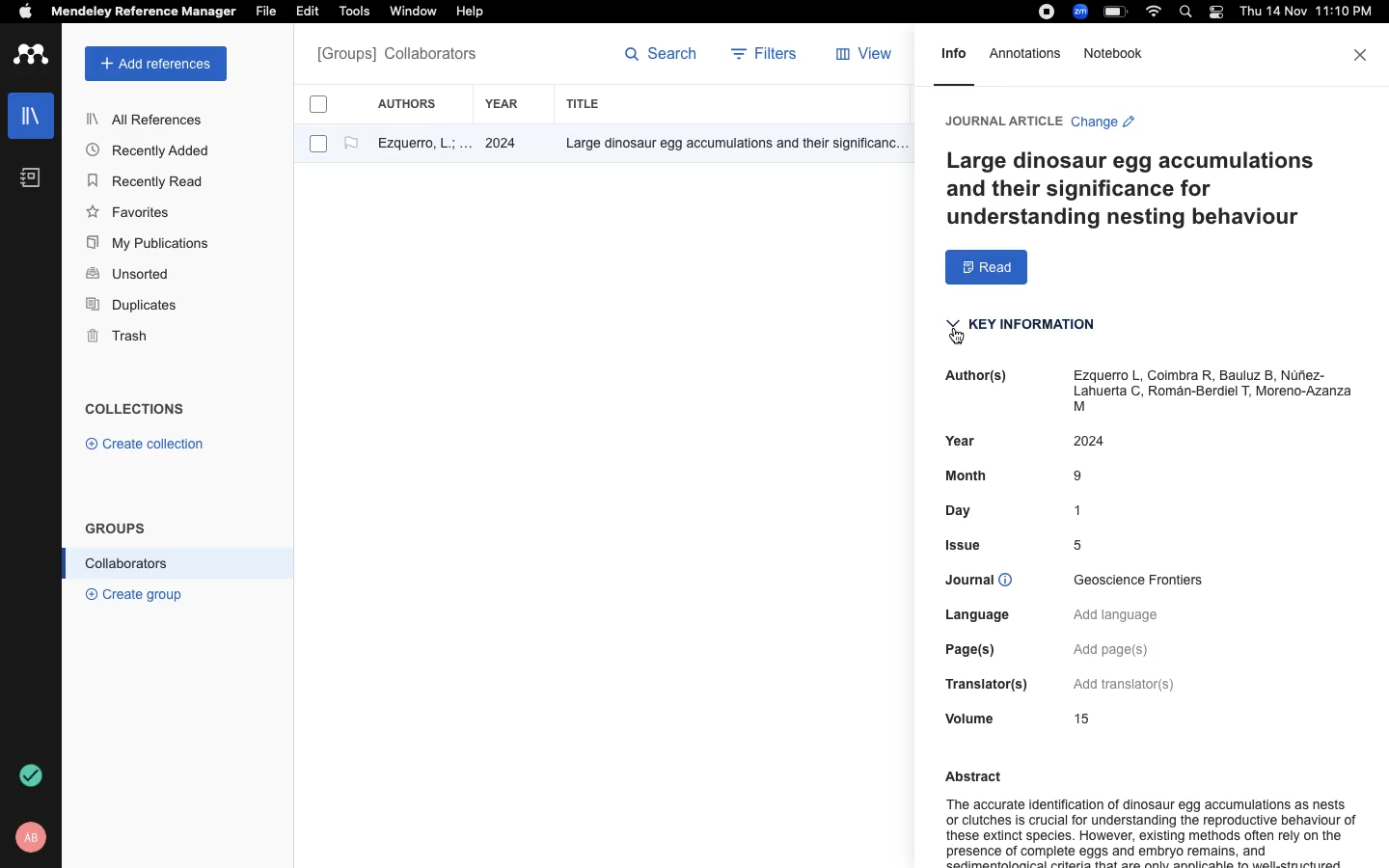 This screenshot has width=1389, height=868. I want to click on view, so click(868, 58).